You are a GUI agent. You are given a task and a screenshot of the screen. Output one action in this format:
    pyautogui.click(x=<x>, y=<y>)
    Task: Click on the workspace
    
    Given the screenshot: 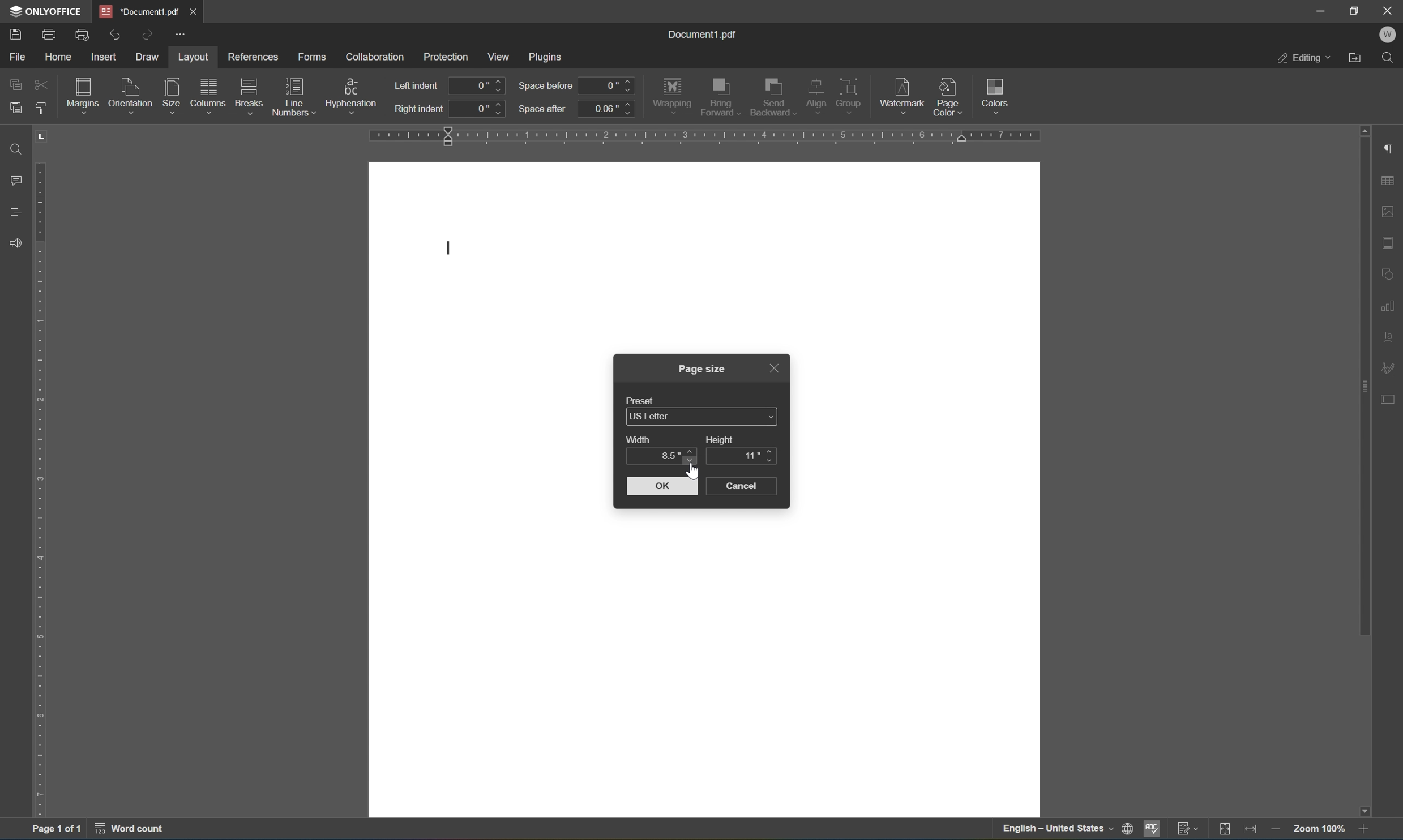 What is the action you would take?
    pyautogui.click(x=705, y=253)
    